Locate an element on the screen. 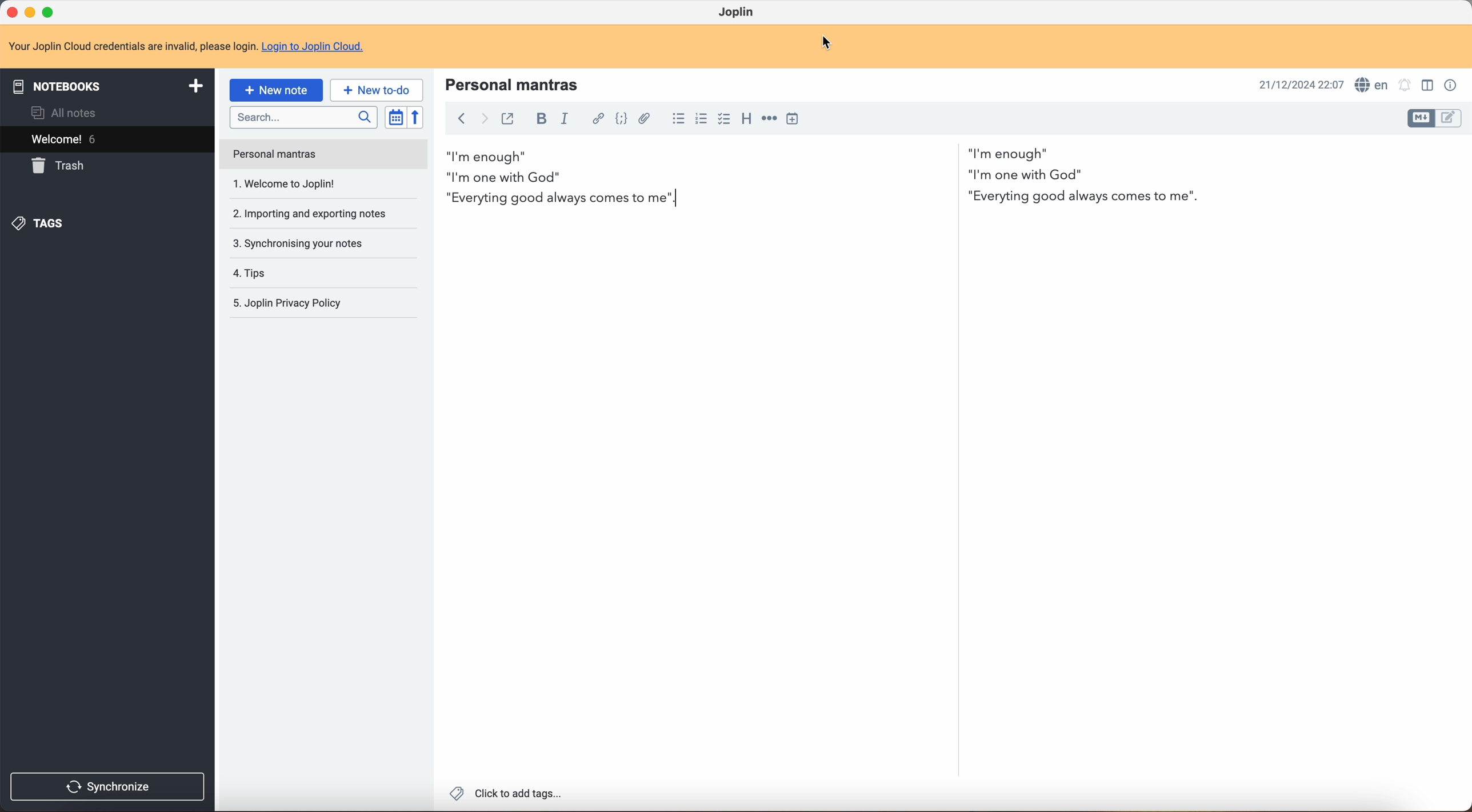 The width and height of the screenshot is (1472, 812). click to add tags is located at coordinates (504, 795).